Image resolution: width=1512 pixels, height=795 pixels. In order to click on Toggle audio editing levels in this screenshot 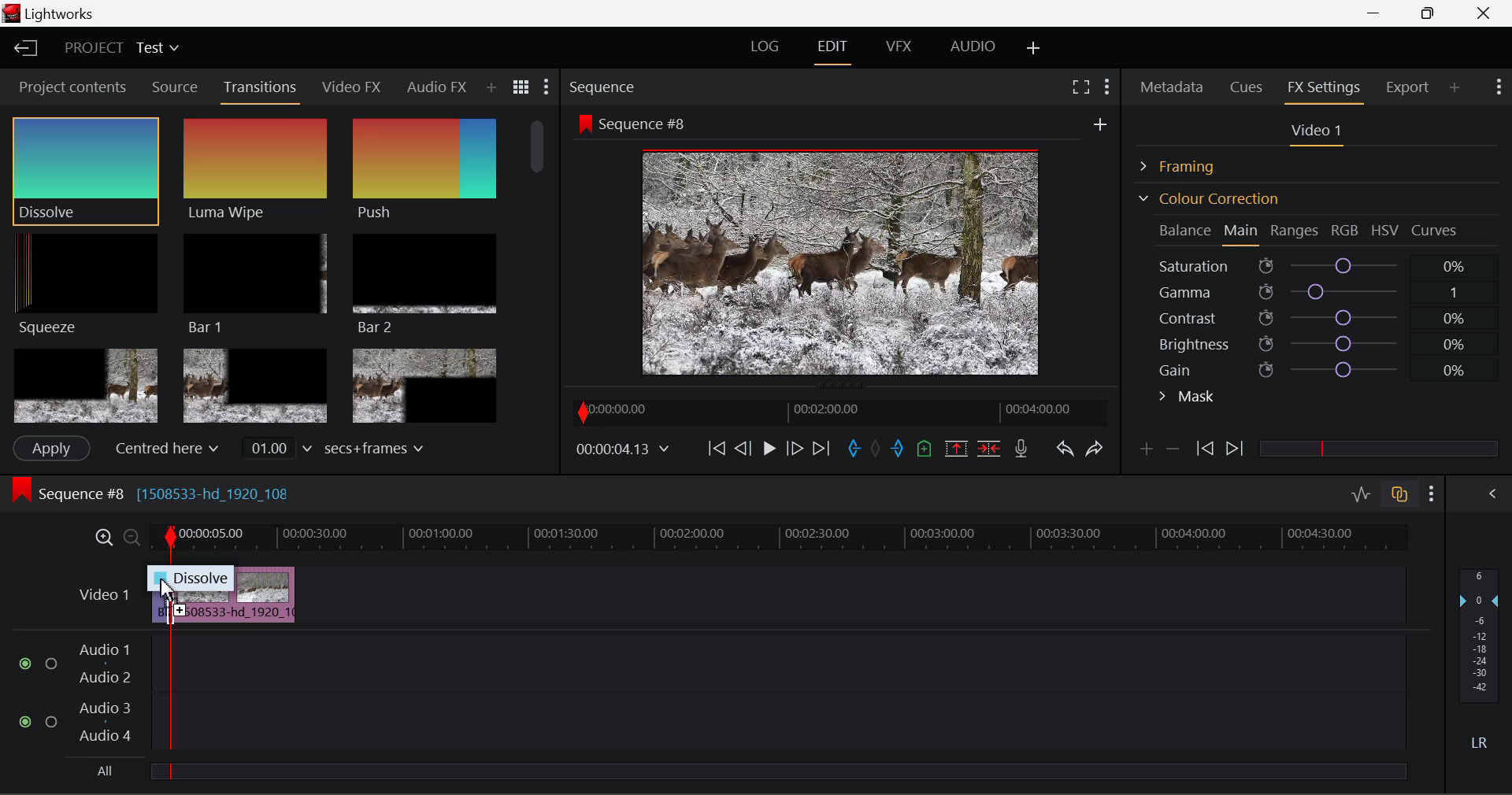, I will do `click(1362, 492)`.